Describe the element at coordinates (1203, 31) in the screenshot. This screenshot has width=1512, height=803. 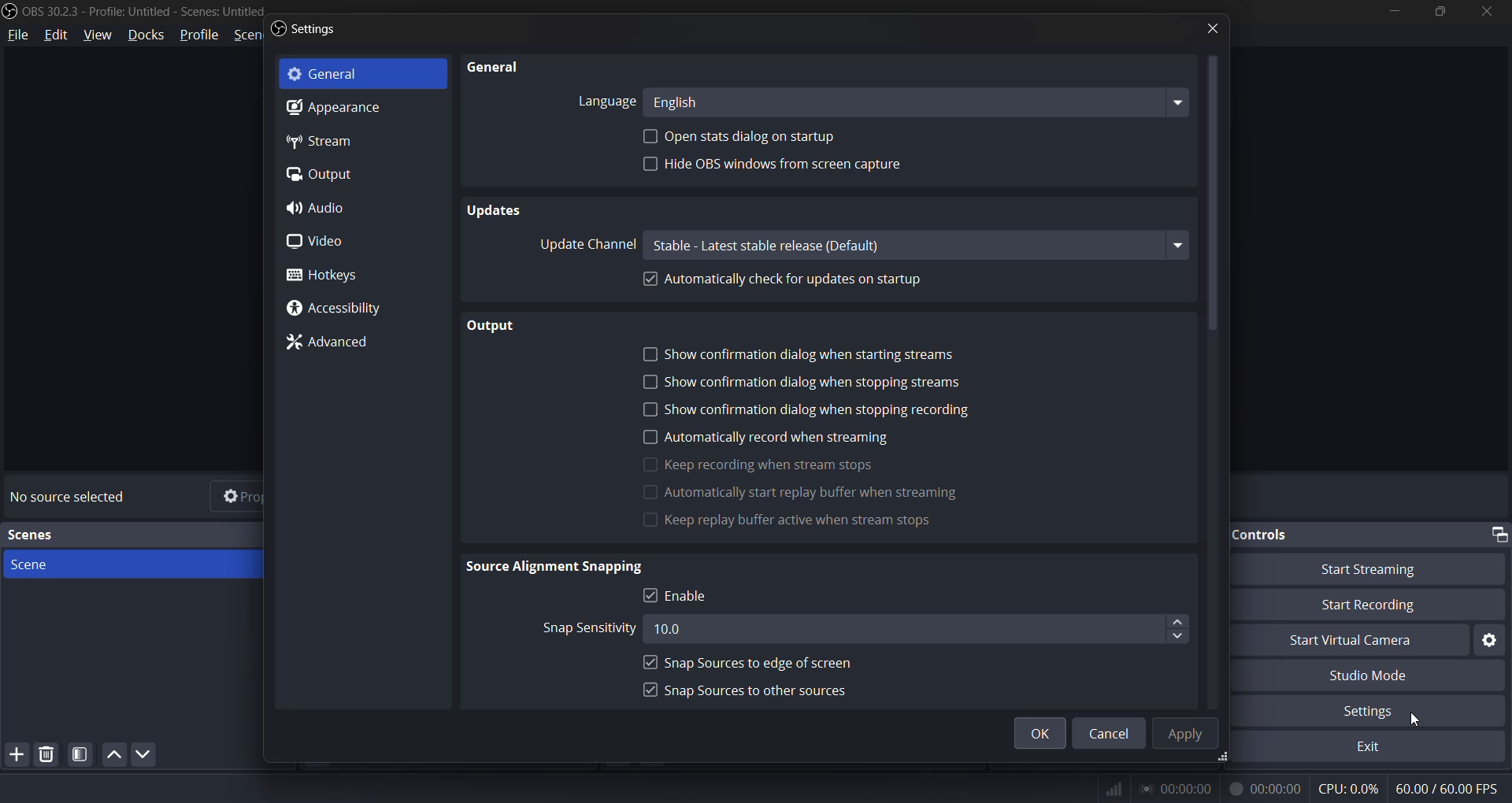
I see `close` at that location.